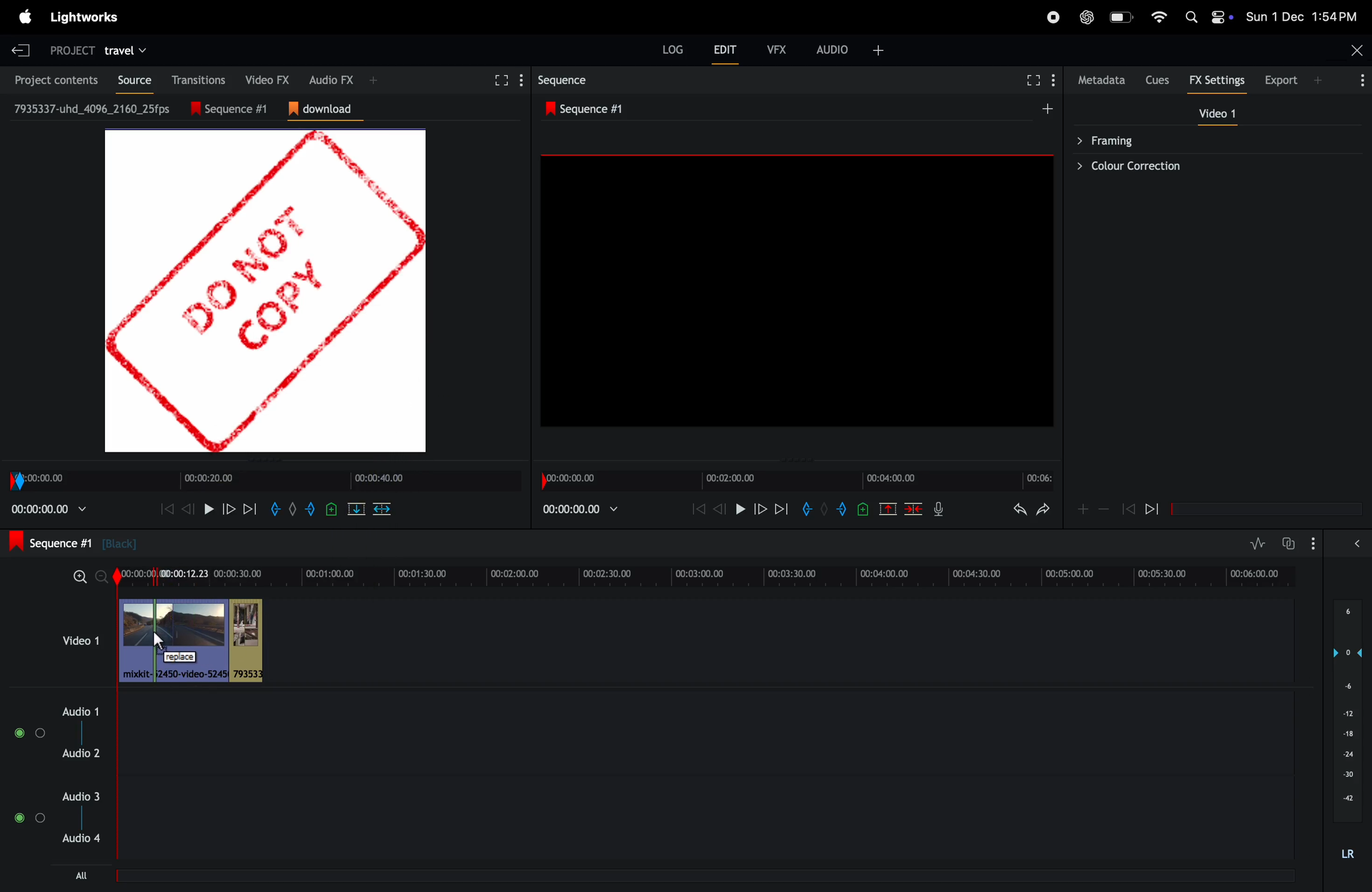 The width and height of the screenshot is (1372, 892). What do you see at coordinates (1152, 508) in the screenshot?
I see `rewind` at bounding box center [1152, 508].